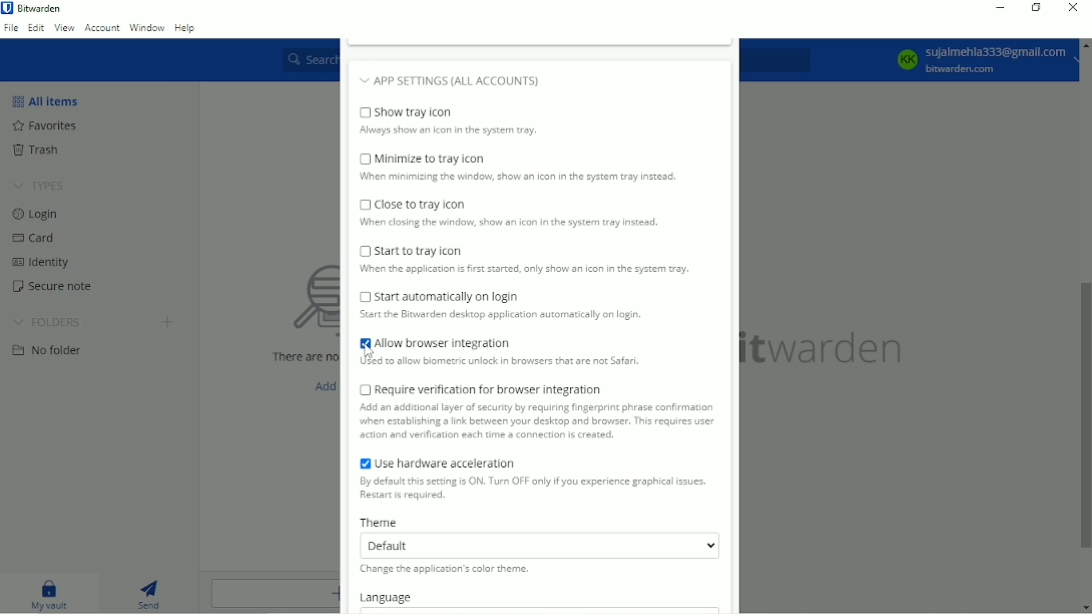  I want to click on Secure note, so click(53, 287).